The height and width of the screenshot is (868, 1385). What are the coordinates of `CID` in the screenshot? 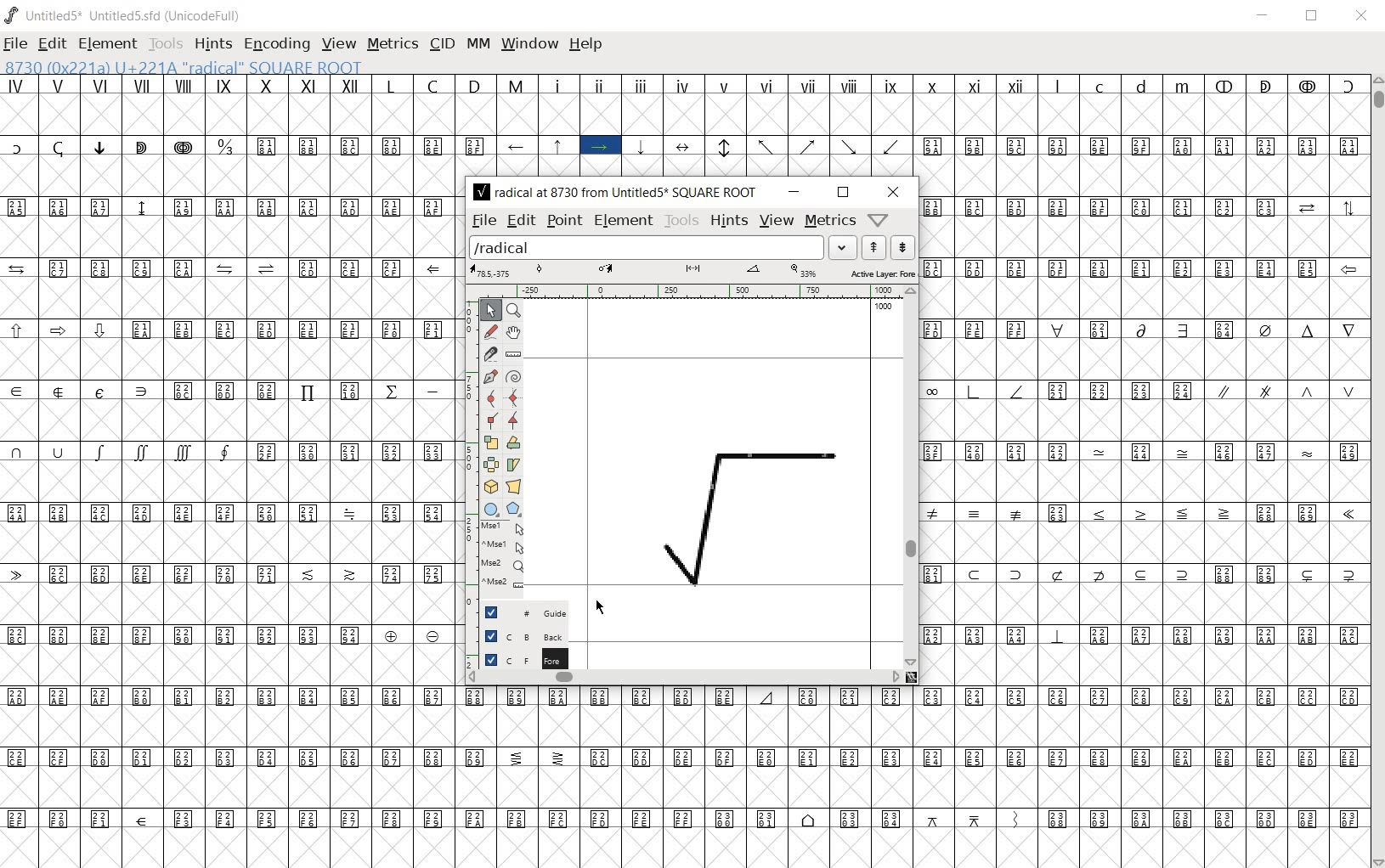 It's located at (441, 43).